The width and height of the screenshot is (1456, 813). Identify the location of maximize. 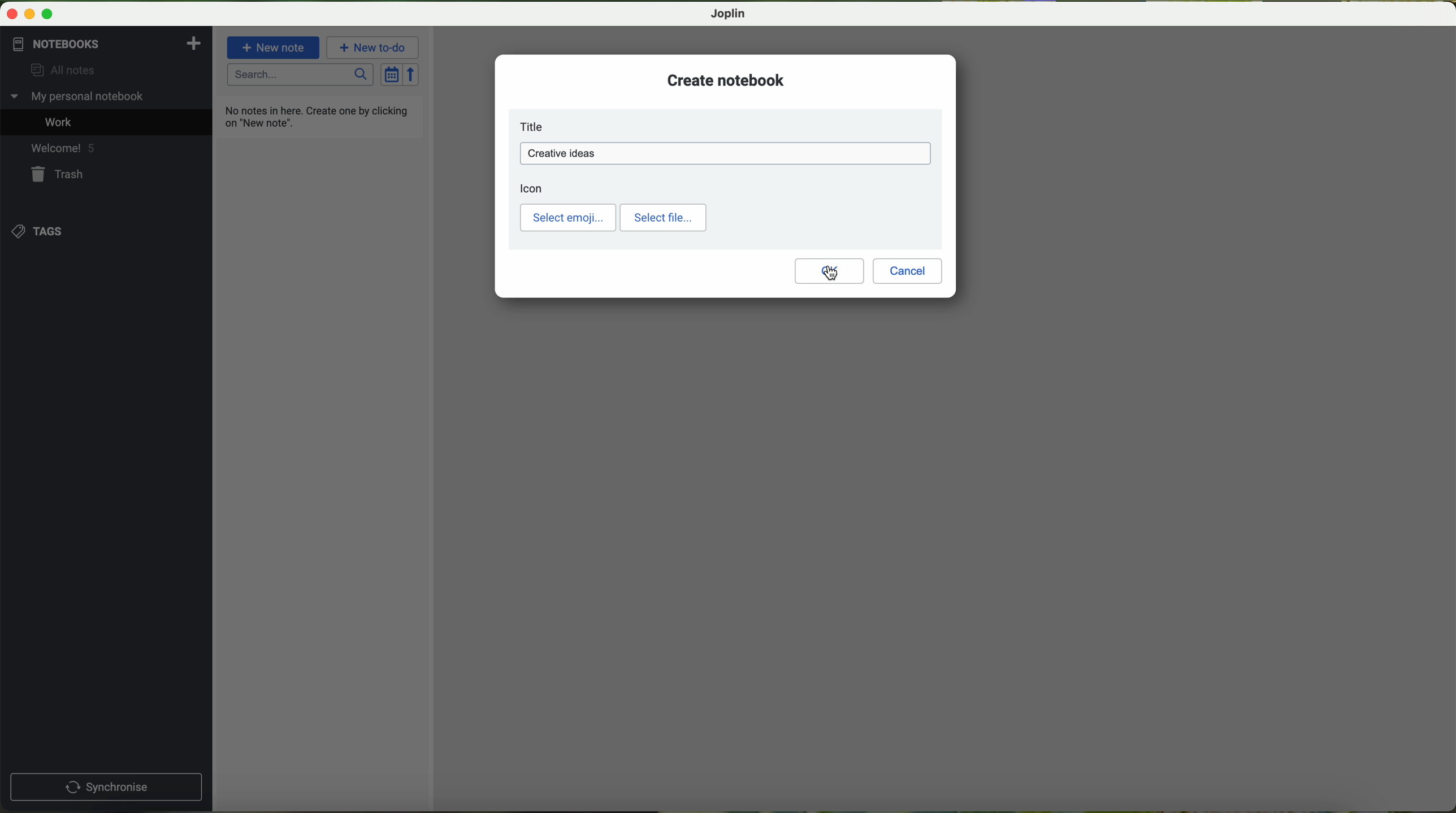
(47, 15).